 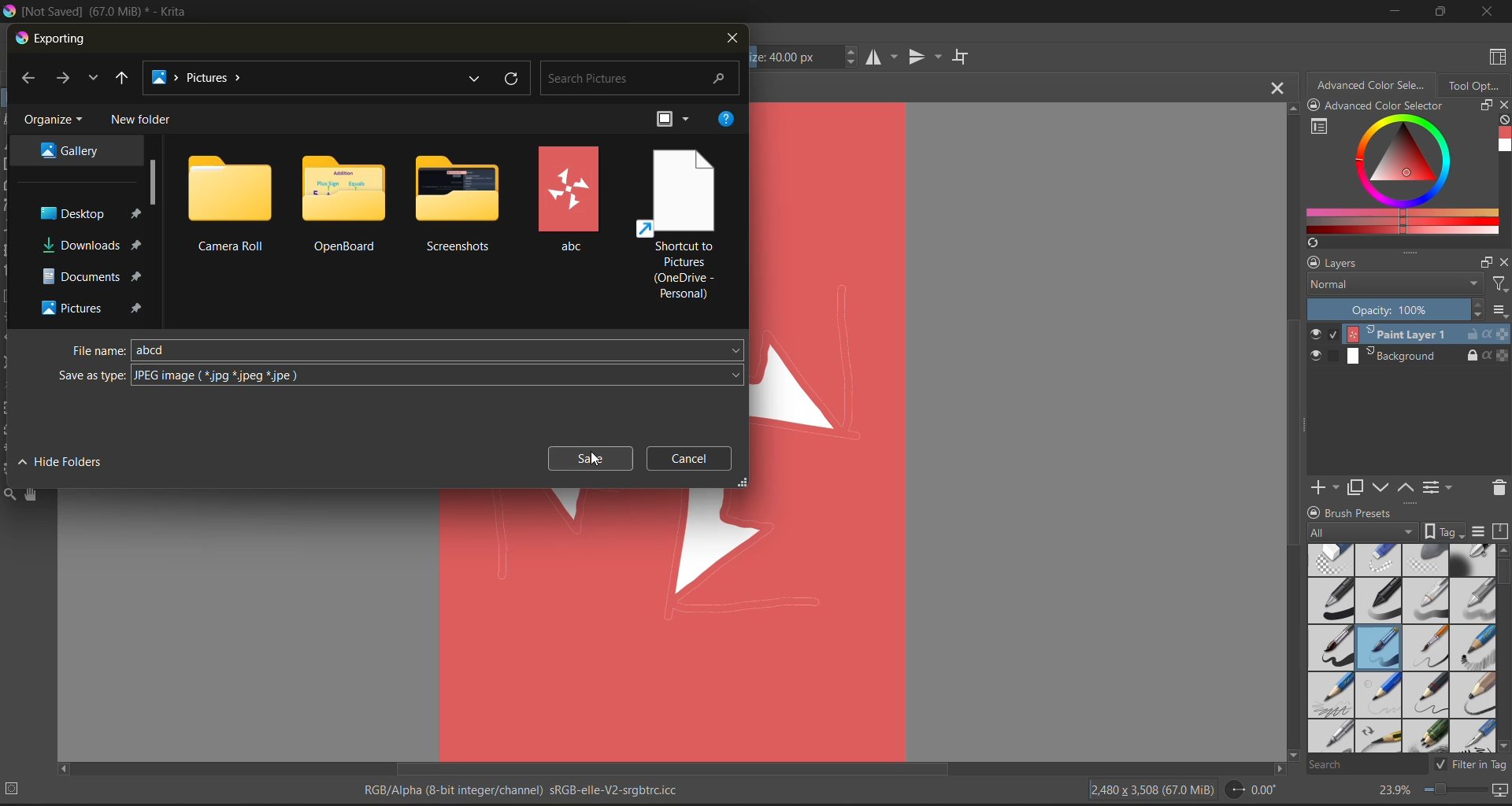 What do you see at coordinates (1488, 262) in the screenshot?
I see `float docker` at bounding box center [1488, 262].